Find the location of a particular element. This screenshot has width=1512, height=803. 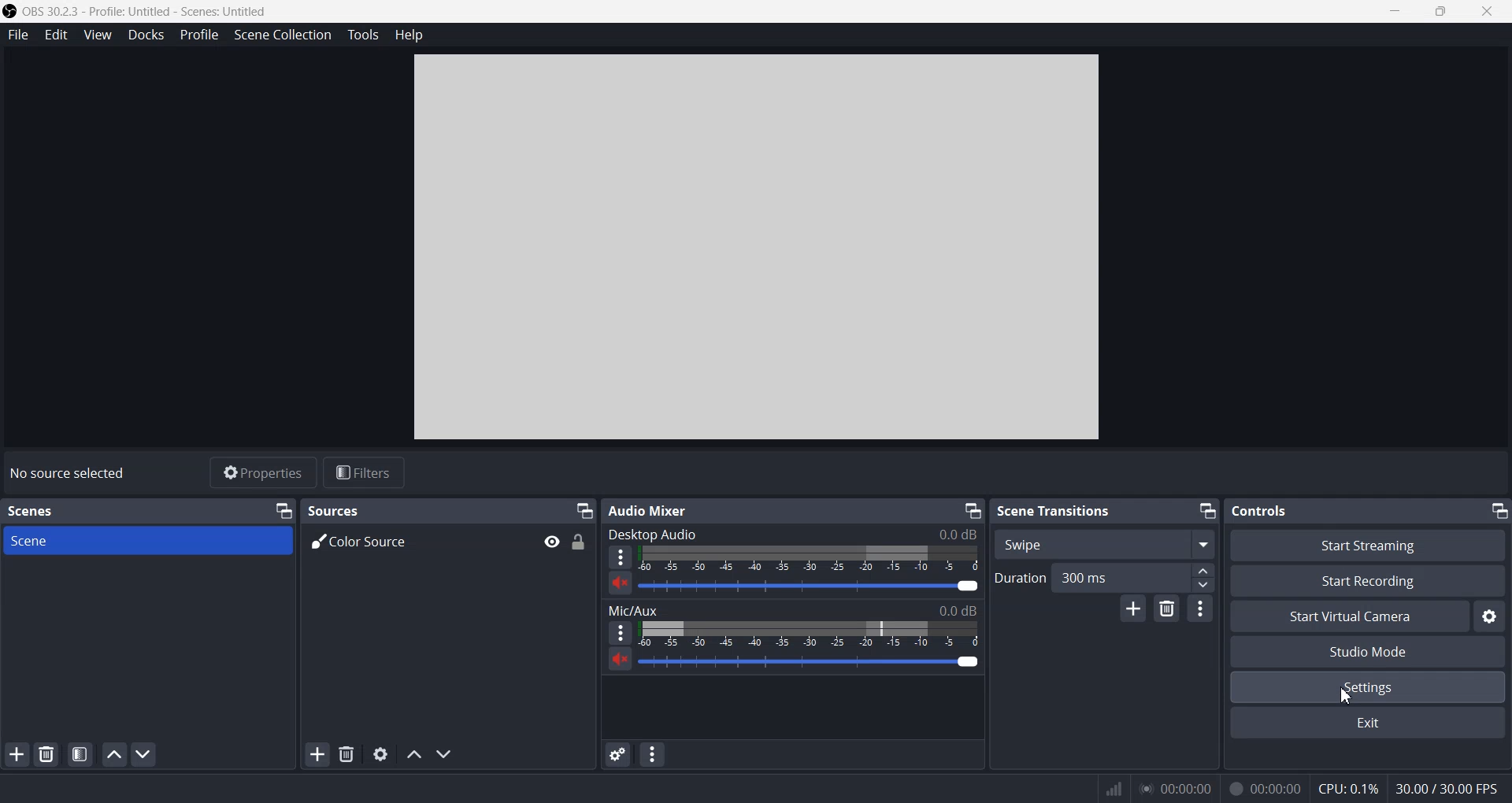

FPS  is located at coordinates (1451, 790).